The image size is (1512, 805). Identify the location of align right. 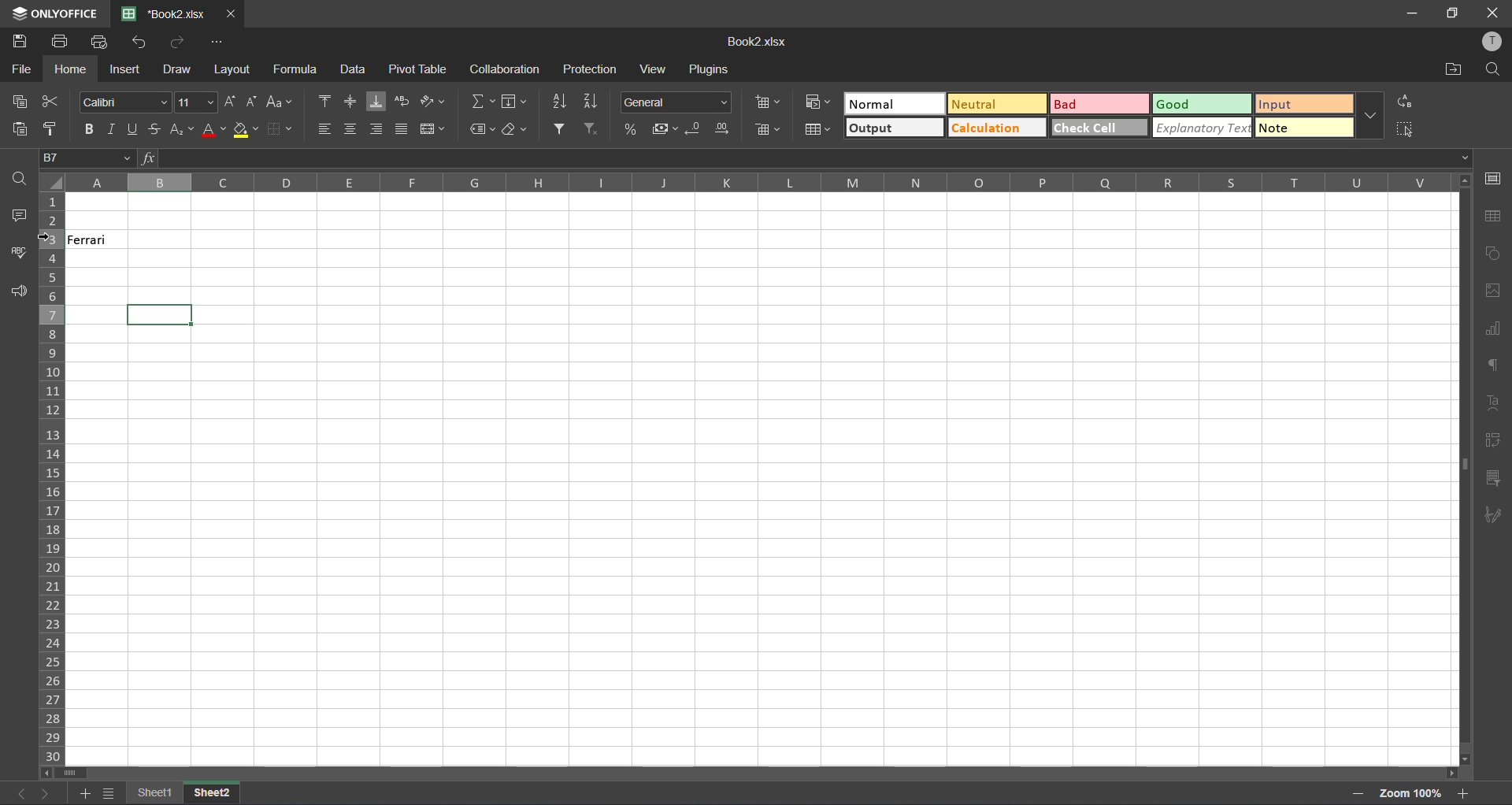
(376, 128).